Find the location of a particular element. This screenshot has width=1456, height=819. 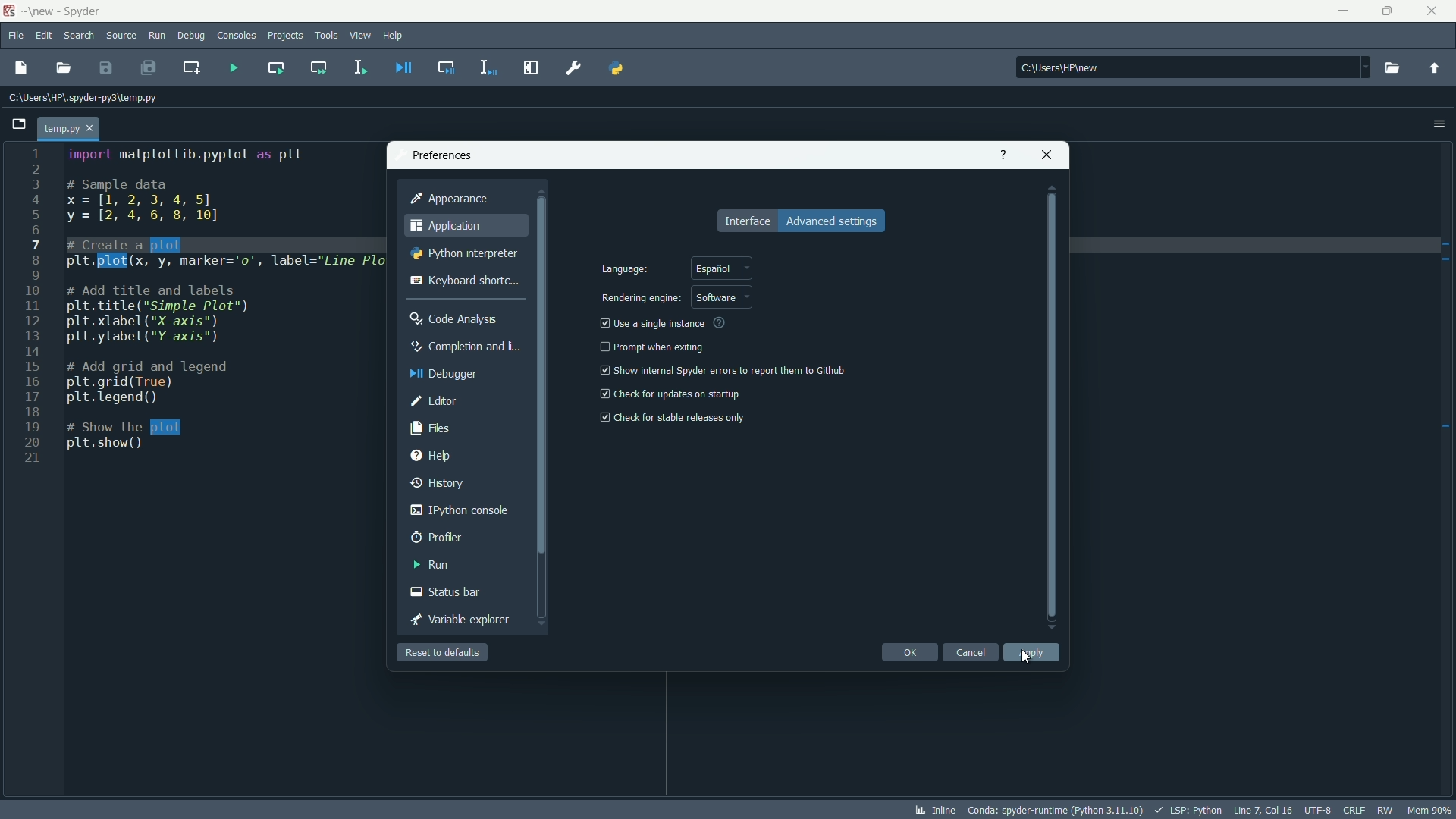

cursor position is located at coordinates (1262, 810).